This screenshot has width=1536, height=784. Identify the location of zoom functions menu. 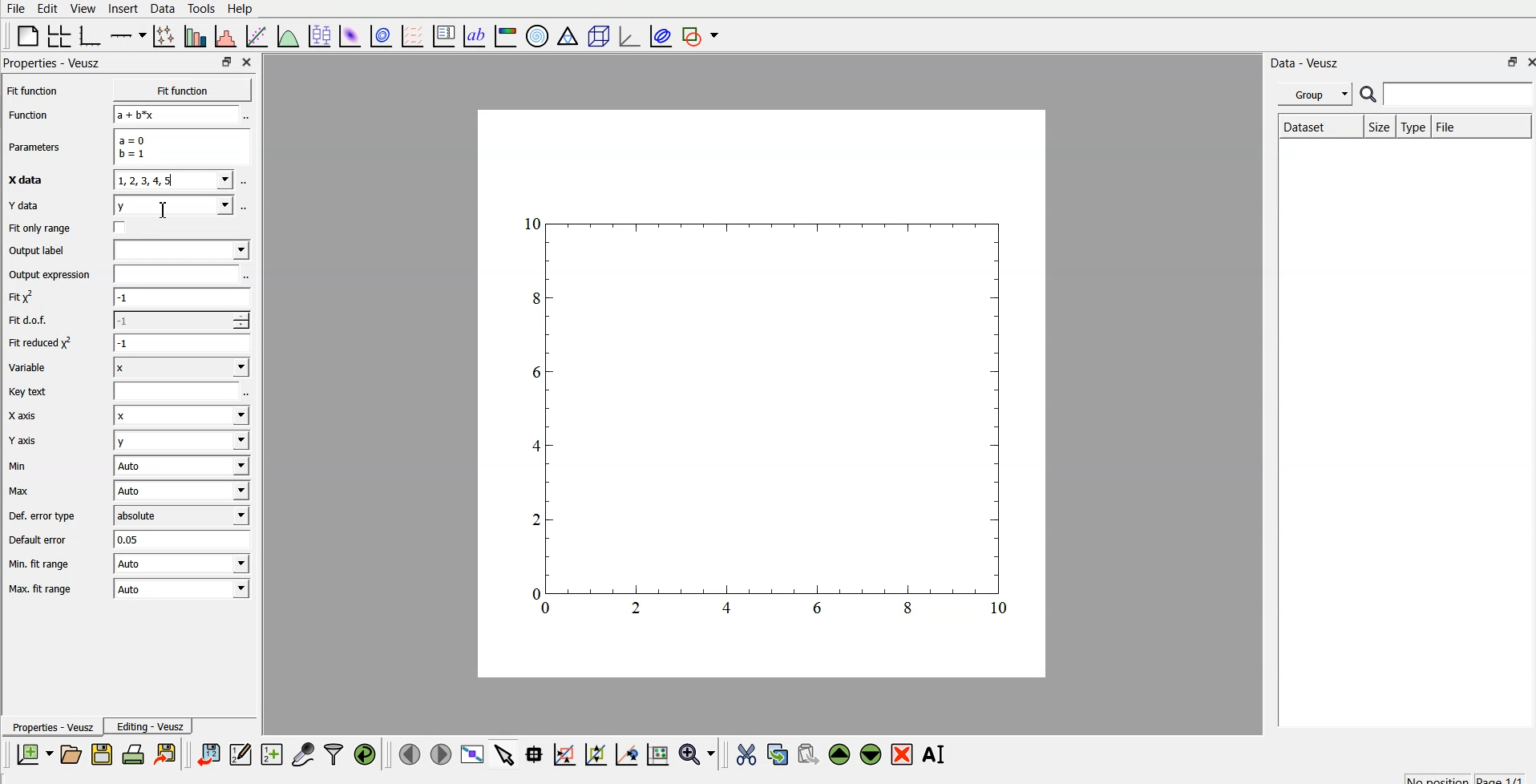
(697, 757).